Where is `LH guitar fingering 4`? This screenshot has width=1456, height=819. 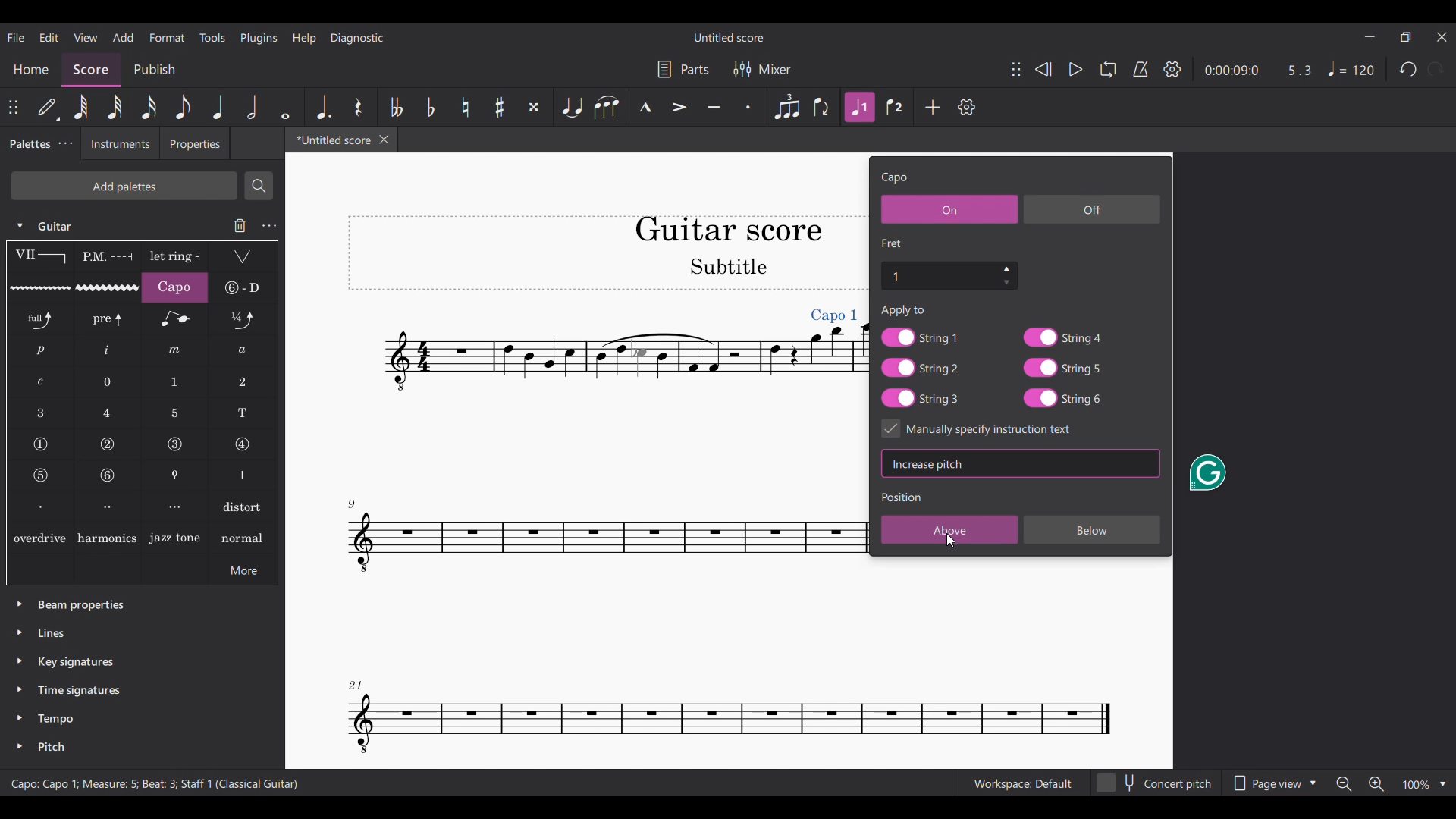
LH guitar fingering 4 is located at coordinates (108, 413).